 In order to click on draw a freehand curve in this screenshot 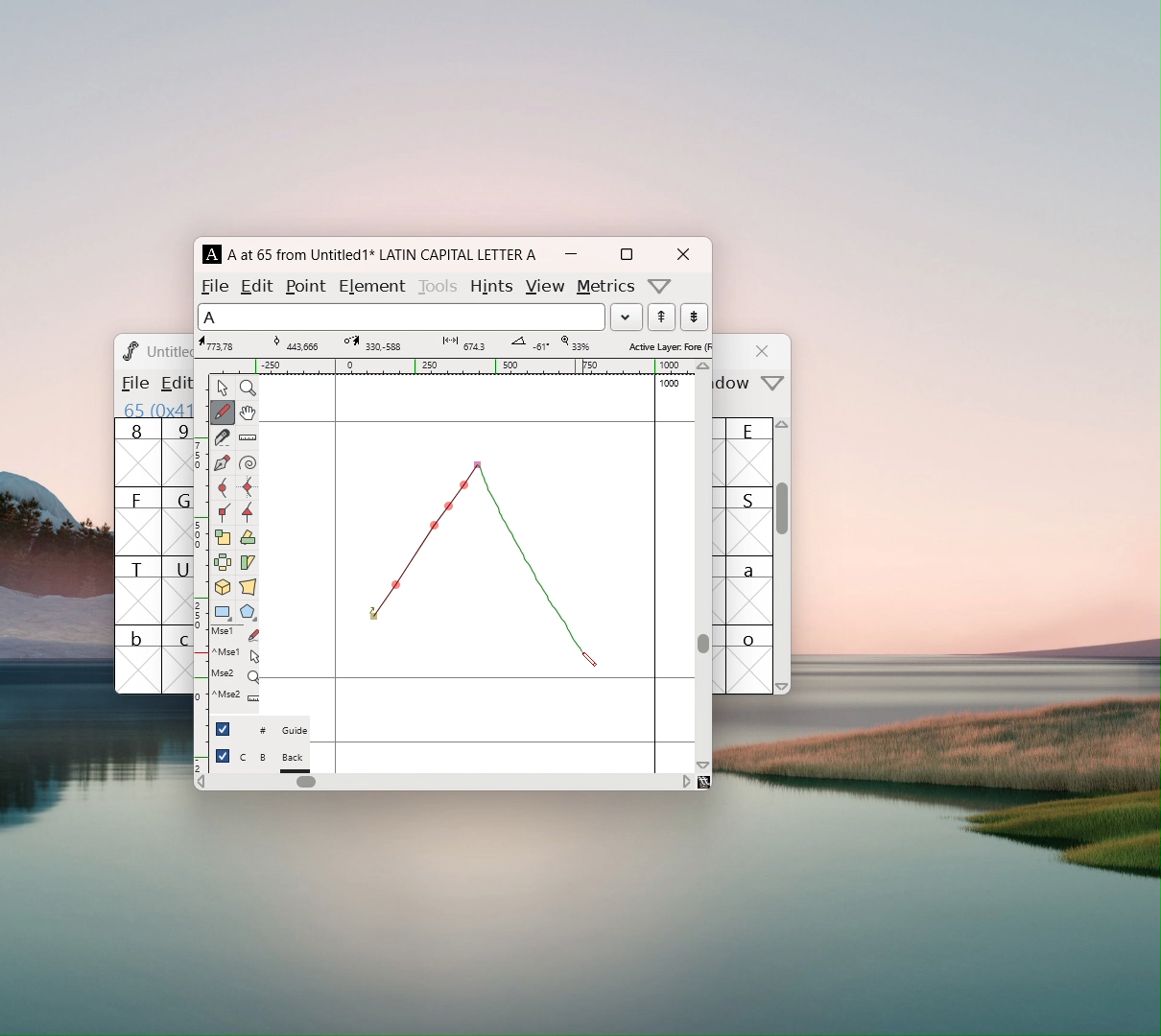, I will do `click(223, 412)`.